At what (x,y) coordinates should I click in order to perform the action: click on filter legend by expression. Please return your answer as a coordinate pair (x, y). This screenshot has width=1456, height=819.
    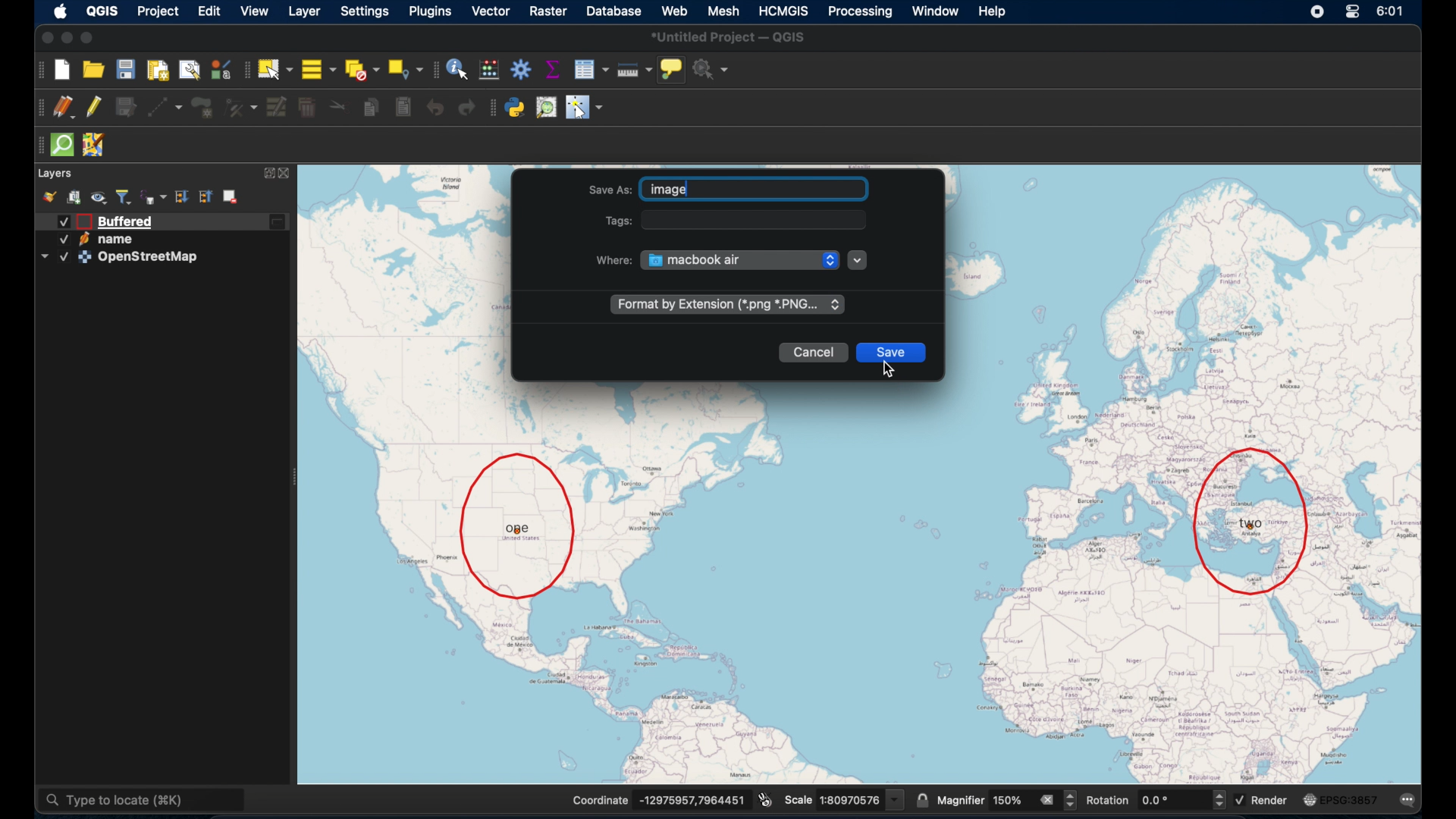
    Looking at the image, I should click on (154, 195).